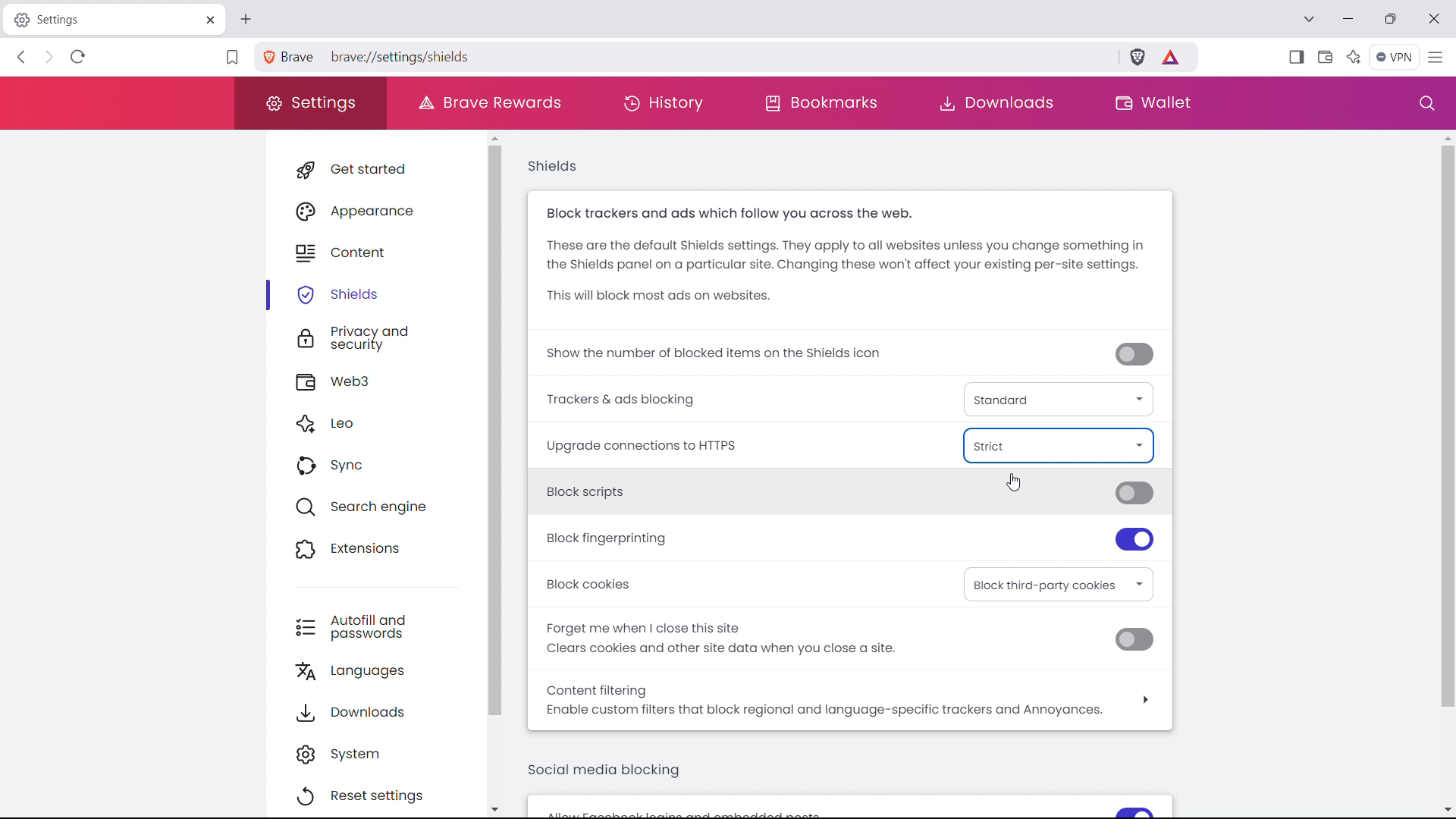  I want to click on maximize, so click(1390, 20).